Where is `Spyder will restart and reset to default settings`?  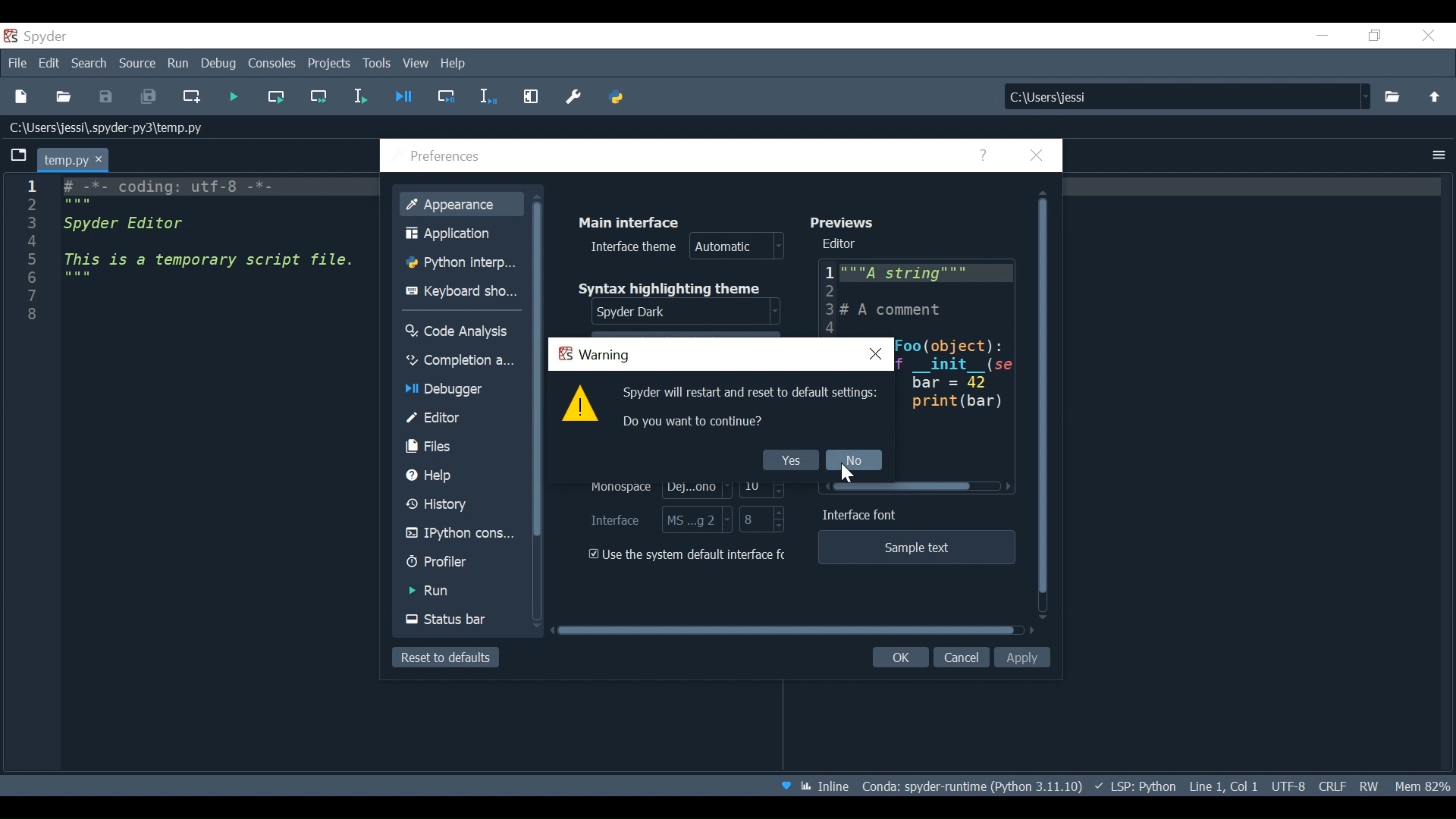
Spyder will restart and reset to default settings is located at coordinates (752, 394).